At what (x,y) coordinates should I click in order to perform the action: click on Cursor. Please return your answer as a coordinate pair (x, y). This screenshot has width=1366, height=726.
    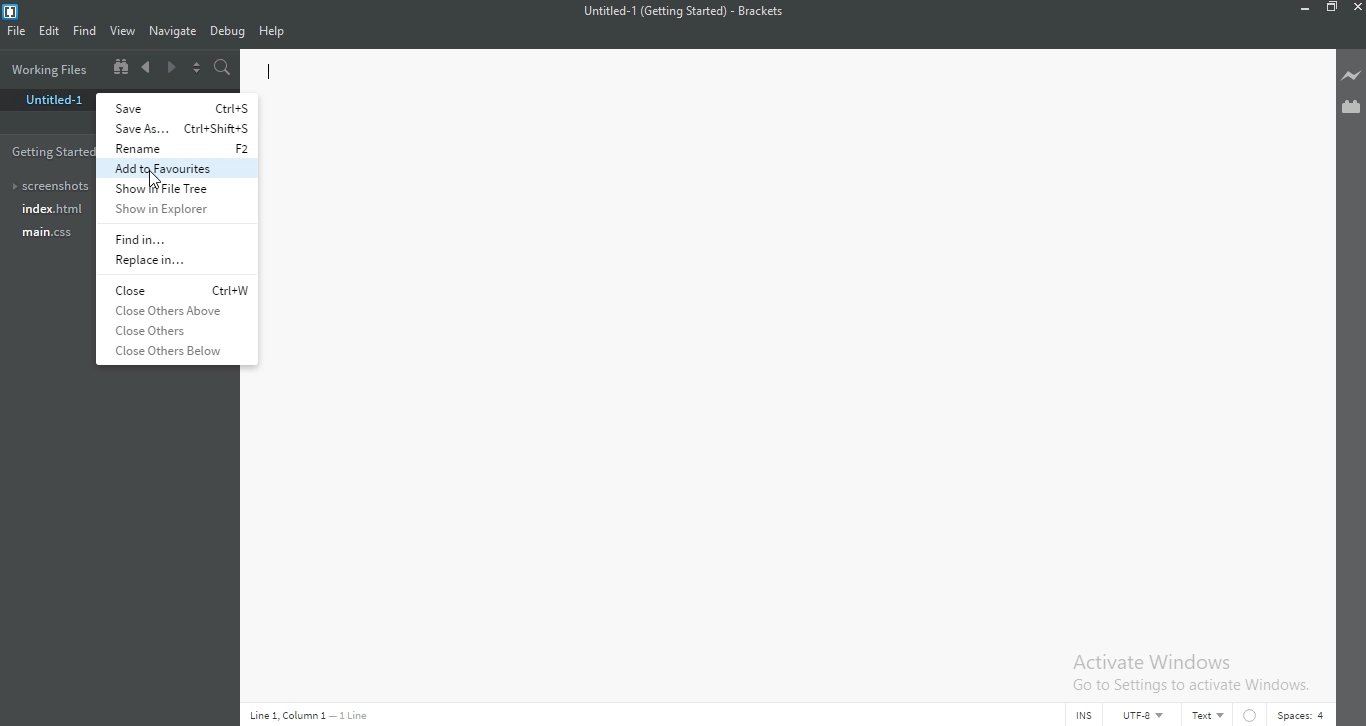
    Looking at the image, I should click on (157, 182).